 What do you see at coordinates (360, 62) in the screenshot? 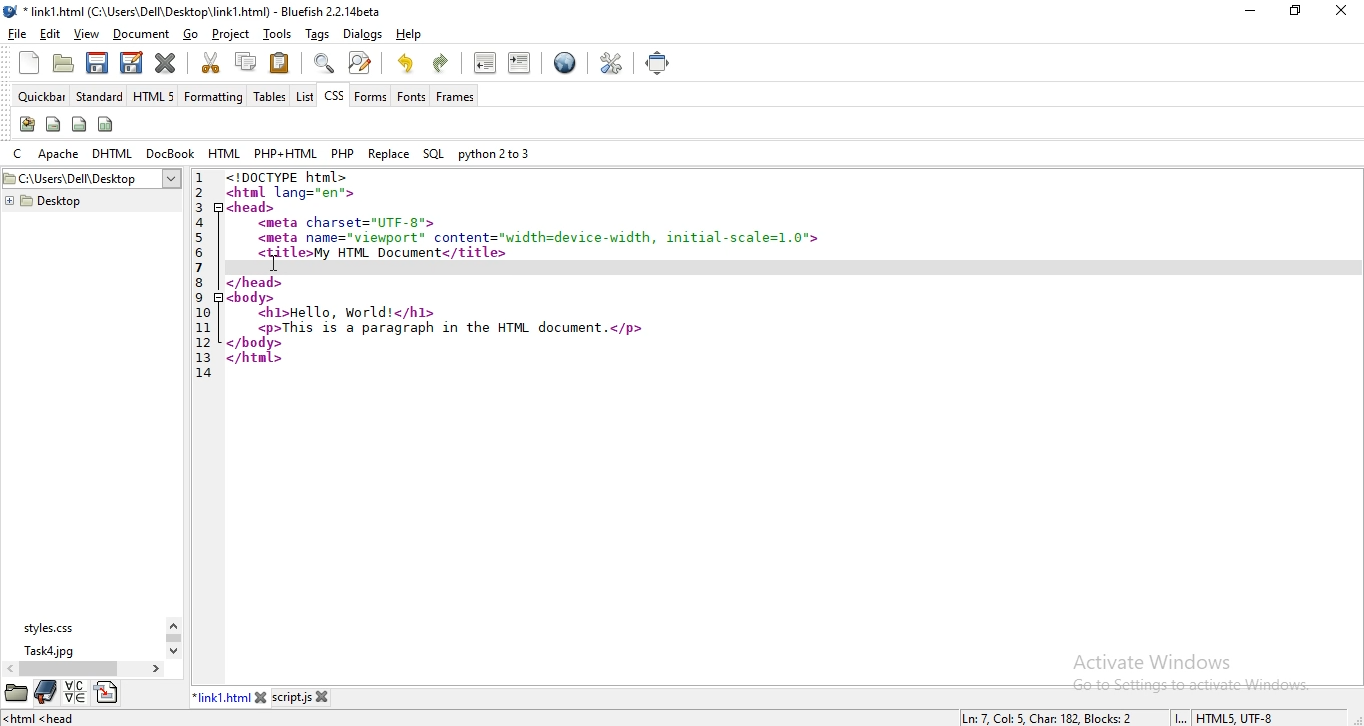
I see `advanced find and replace` at bounding box center [360, 62].